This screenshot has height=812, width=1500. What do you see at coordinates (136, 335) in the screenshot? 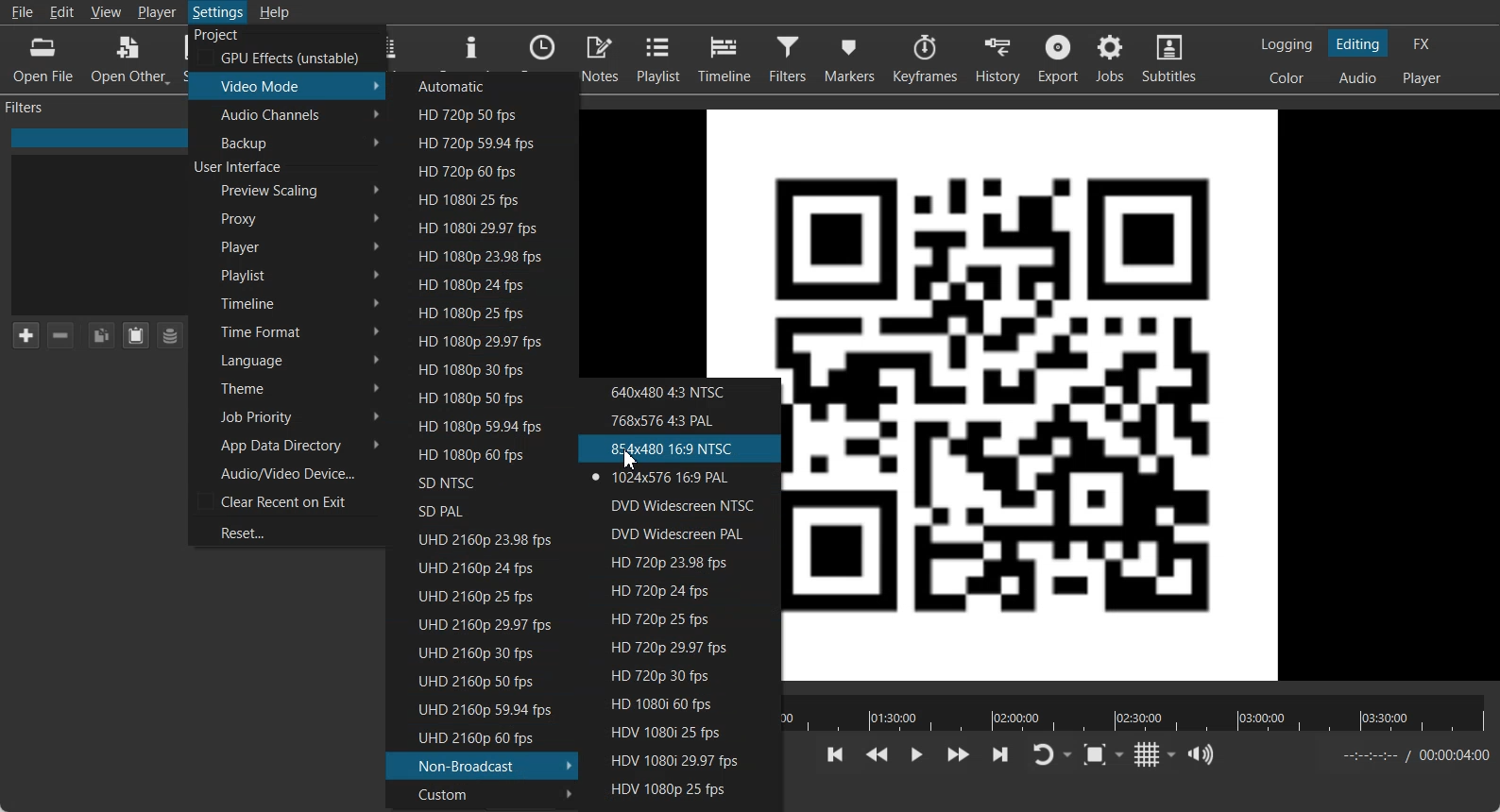
I see `Paste Filter` at bounding box center [136, 335].